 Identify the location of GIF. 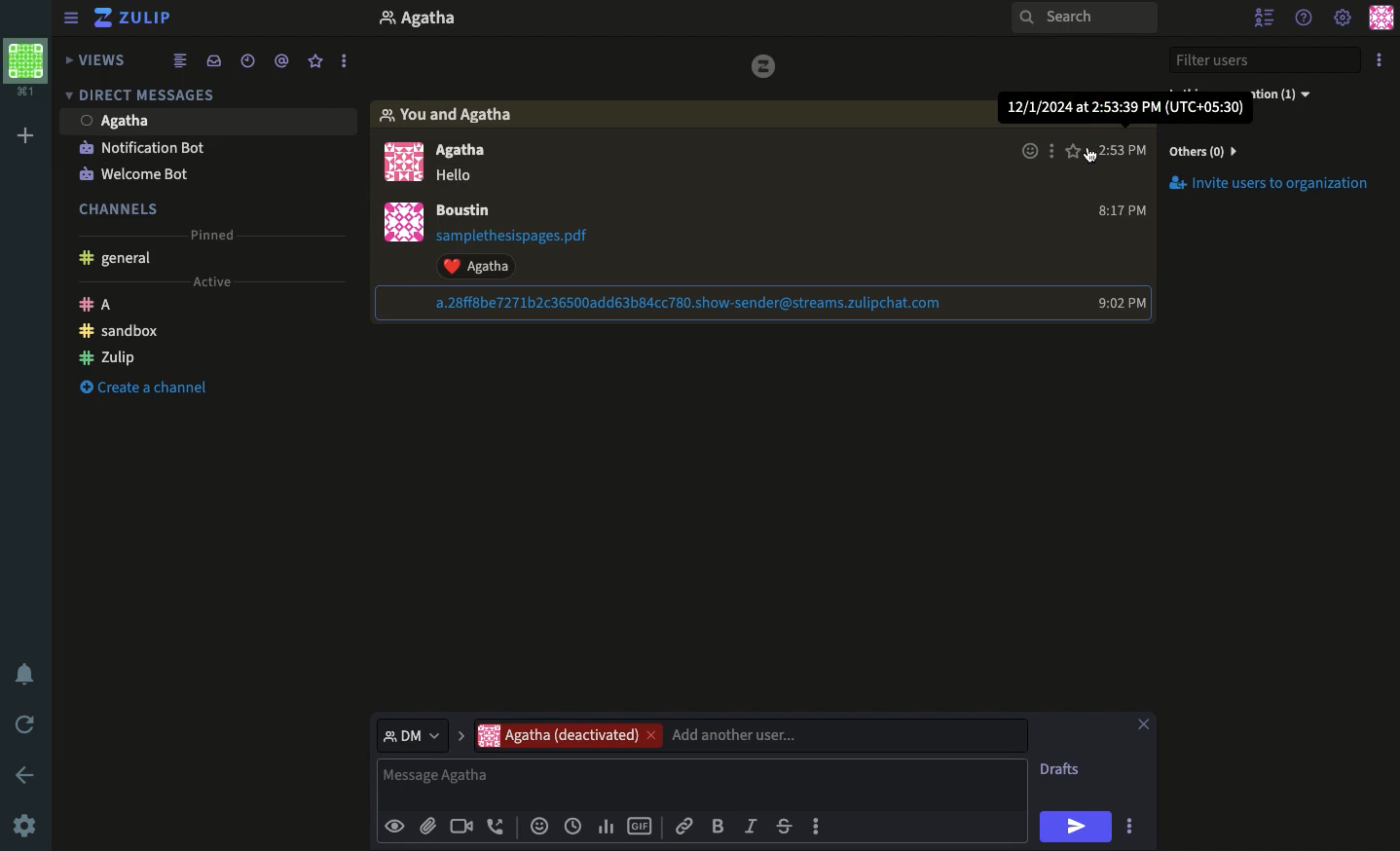
(641, 827).